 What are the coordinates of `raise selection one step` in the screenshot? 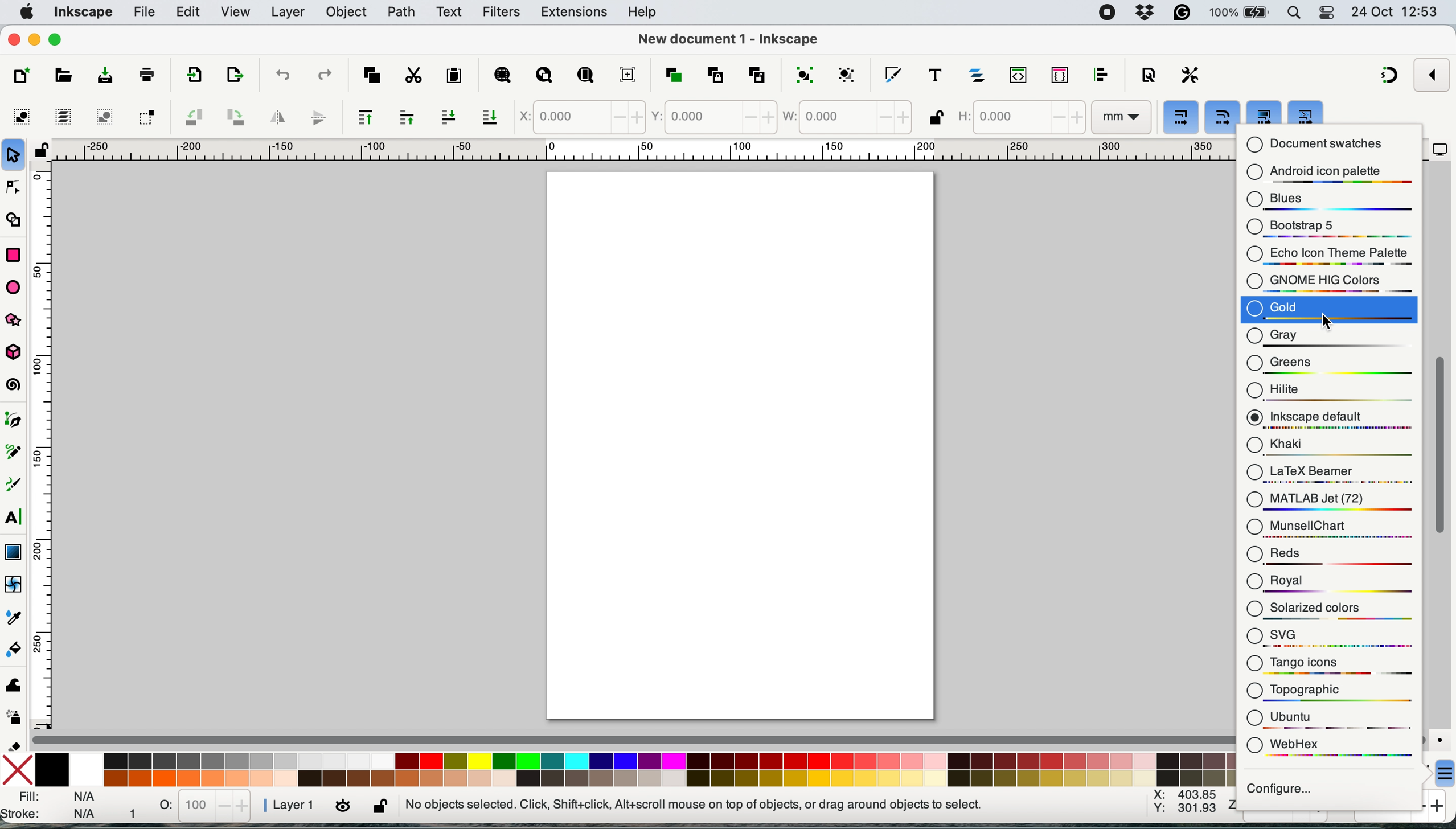 It's located at (408, 118).